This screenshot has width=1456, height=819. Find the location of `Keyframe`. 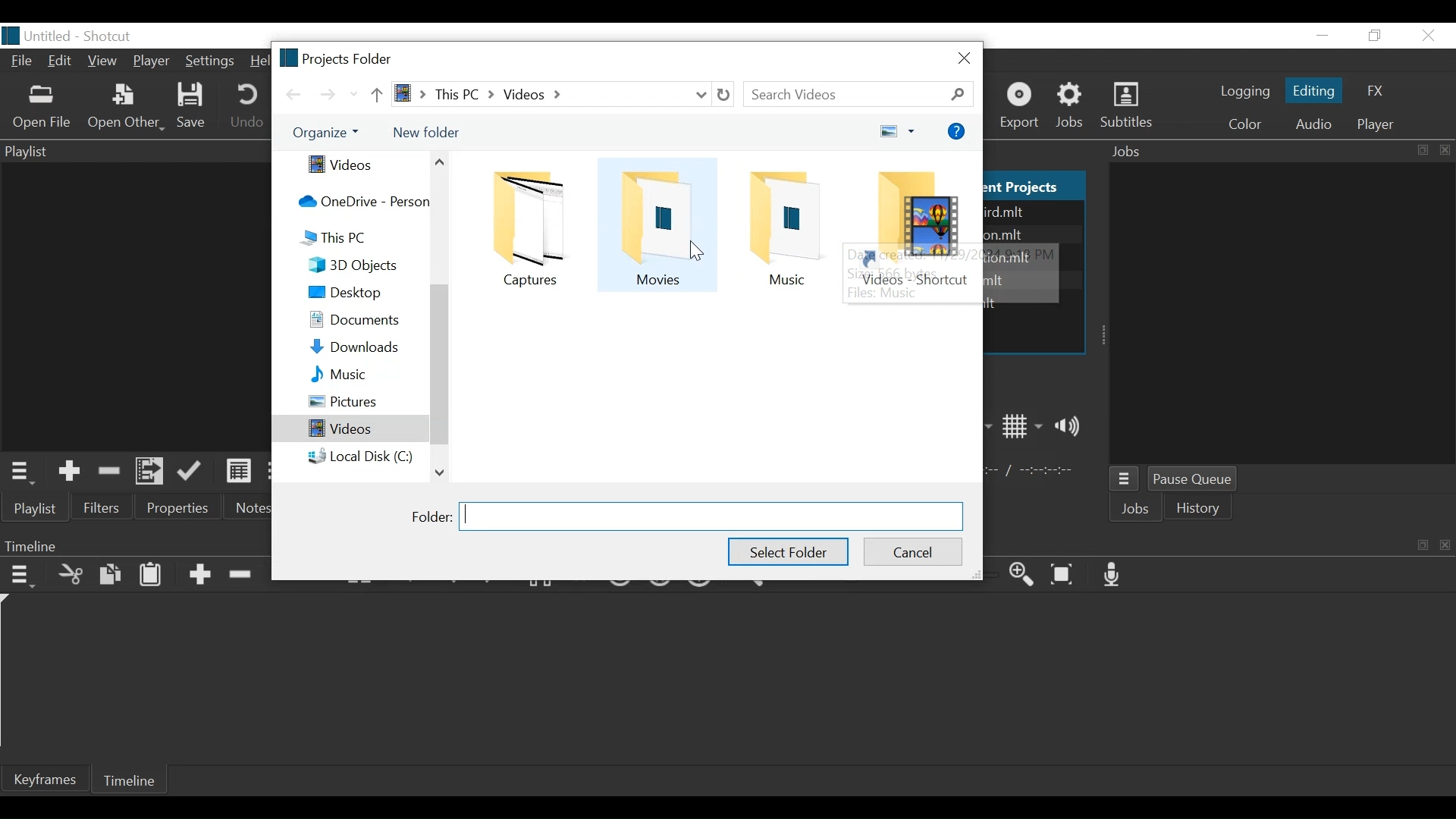

Keyframe is located at coordinates (46, 779).